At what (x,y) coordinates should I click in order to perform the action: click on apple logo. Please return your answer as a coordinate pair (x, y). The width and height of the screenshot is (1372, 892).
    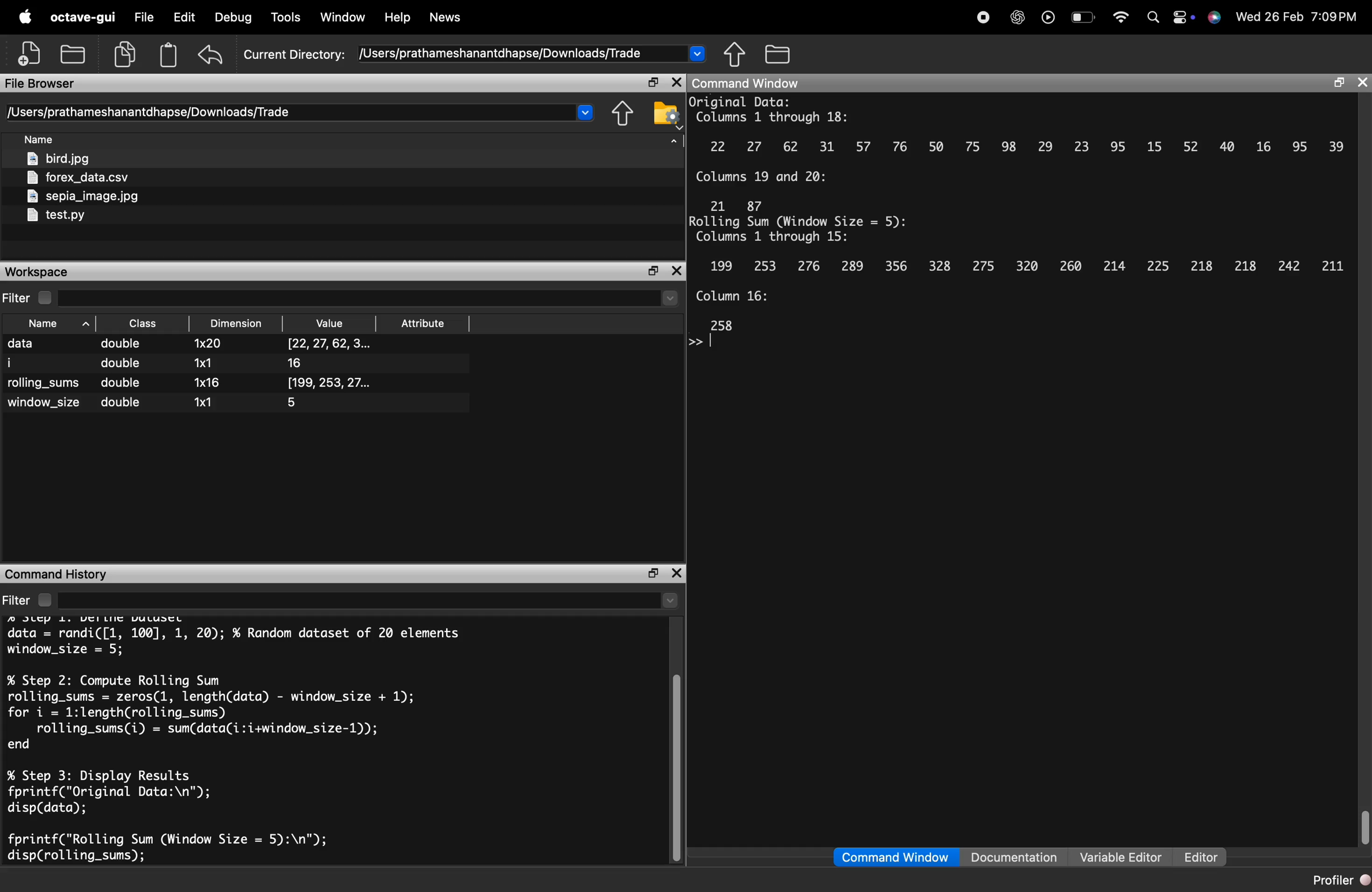
    Looking at the image, I should click on (27, 17).